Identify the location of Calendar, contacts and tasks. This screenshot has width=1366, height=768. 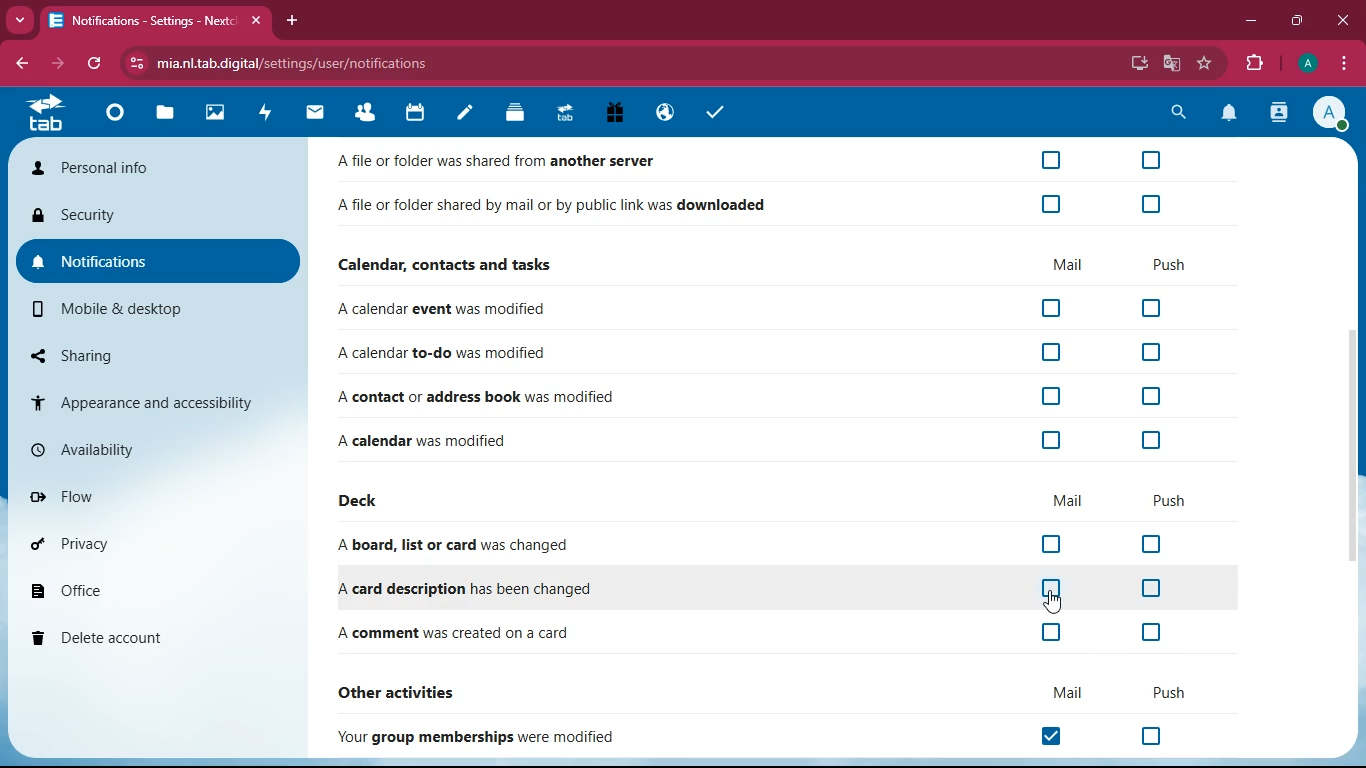
(449, 264).